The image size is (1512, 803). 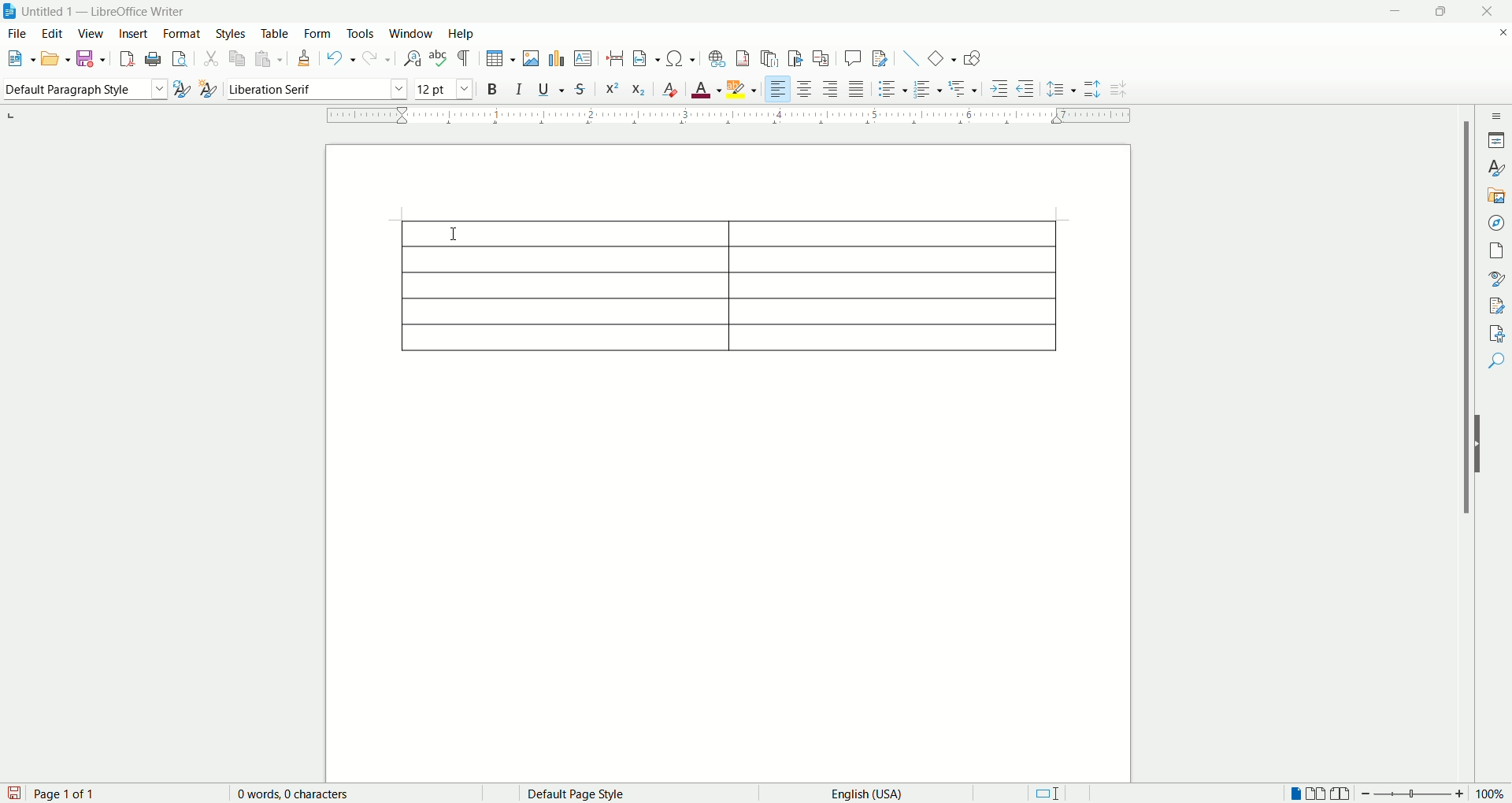 I want to click on style, so click(x=1495, y=168).